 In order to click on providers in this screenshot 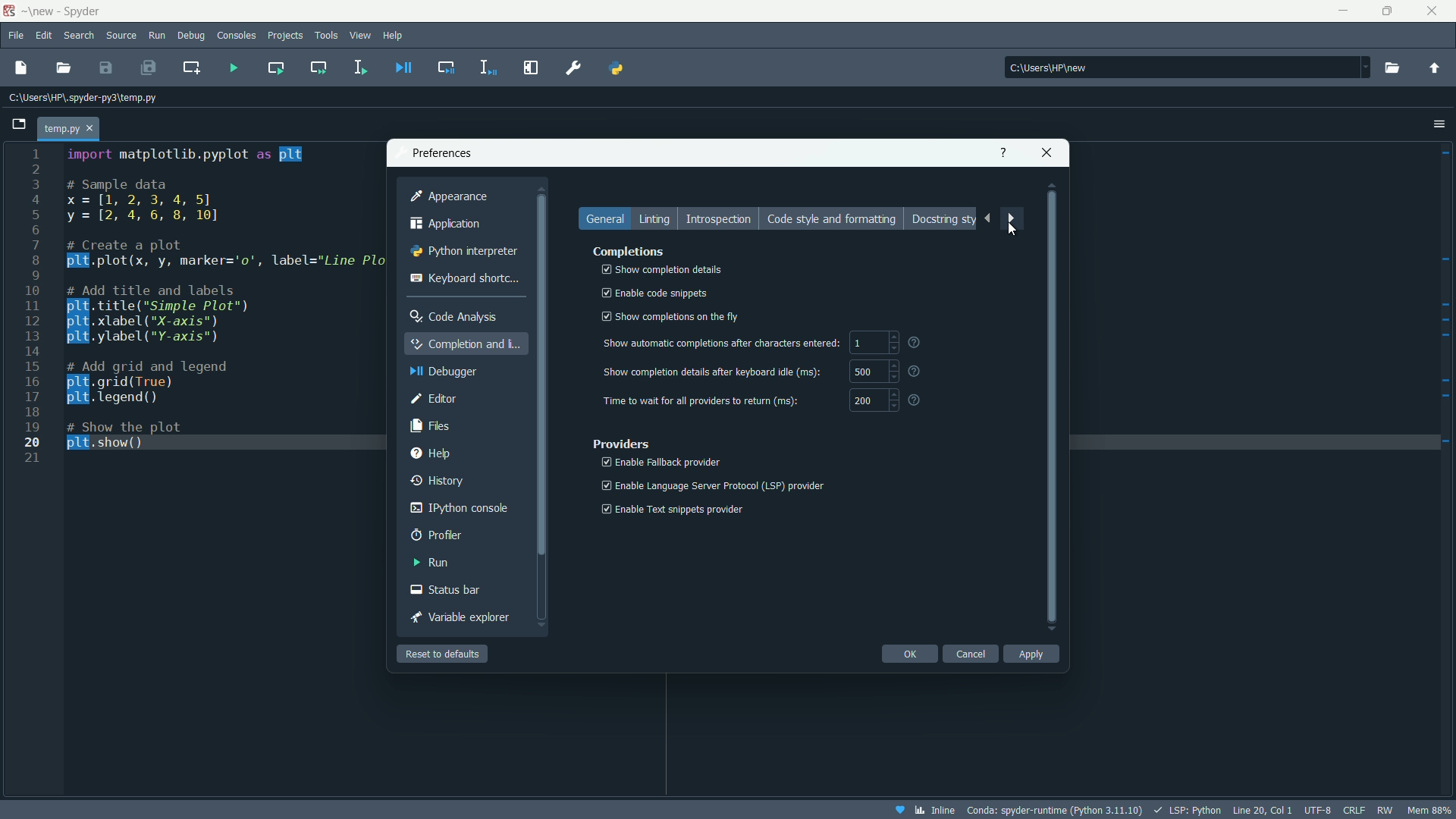, I will do `click(621, 444)`.